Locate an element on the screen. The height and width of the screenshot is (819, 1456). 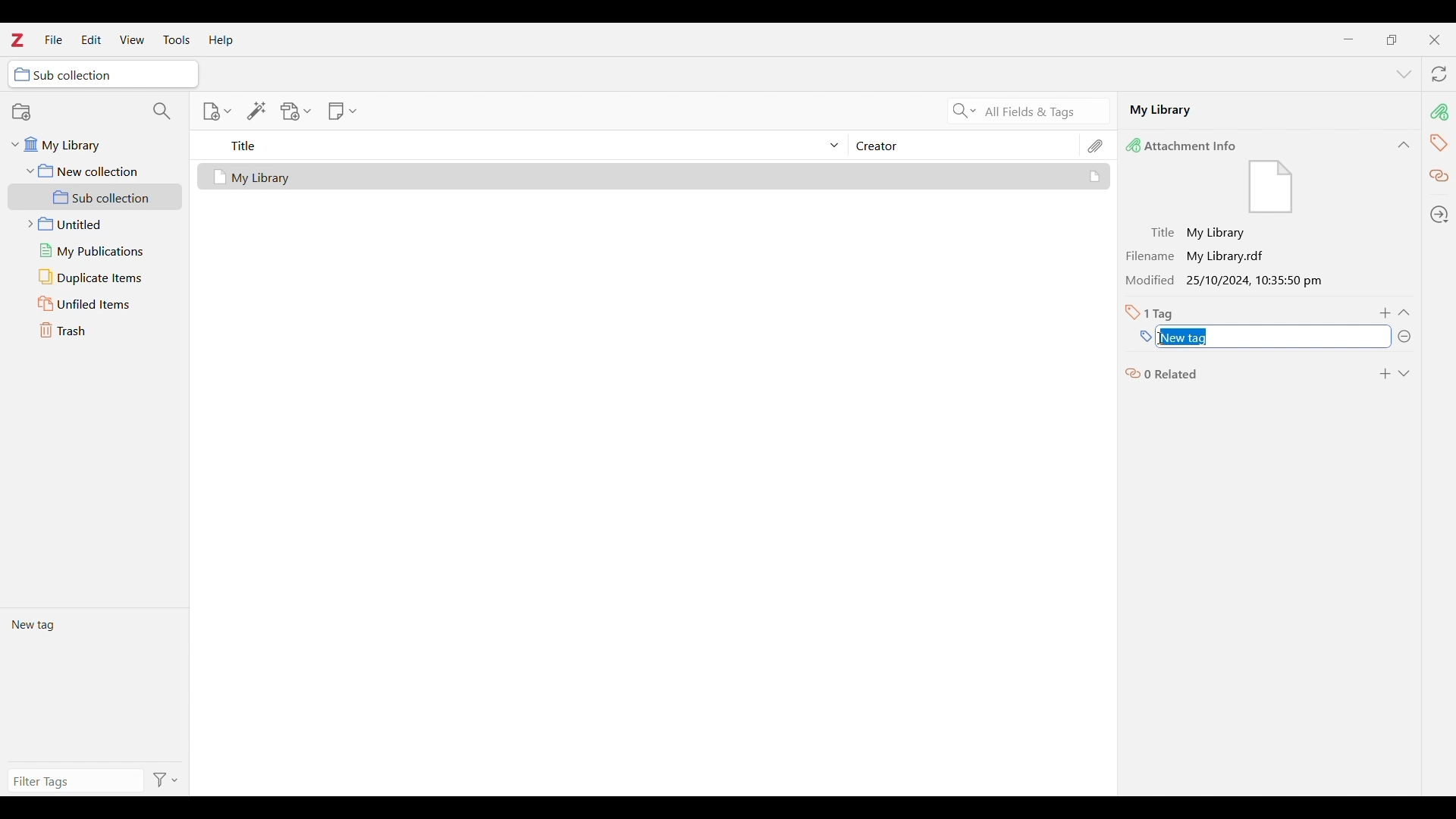
List all tabs is located at coordinates (1404, 75).